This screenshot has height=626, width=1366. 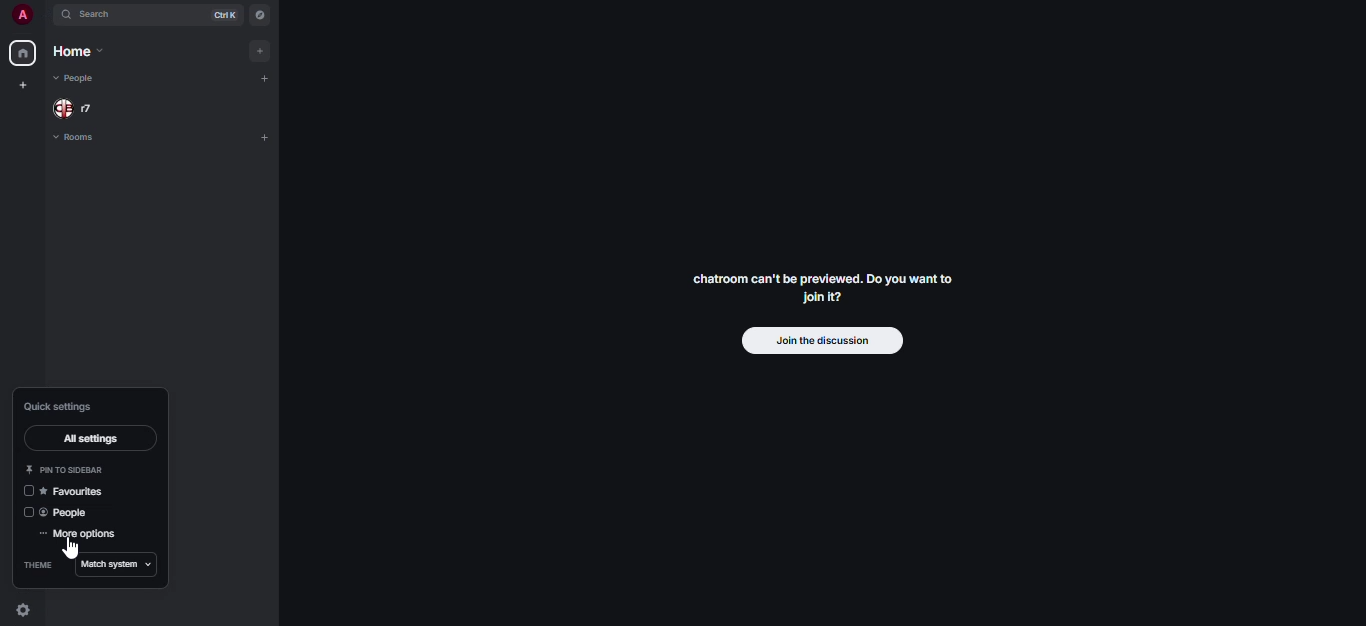 I want to click on cursor, so click(x=74, y=546).